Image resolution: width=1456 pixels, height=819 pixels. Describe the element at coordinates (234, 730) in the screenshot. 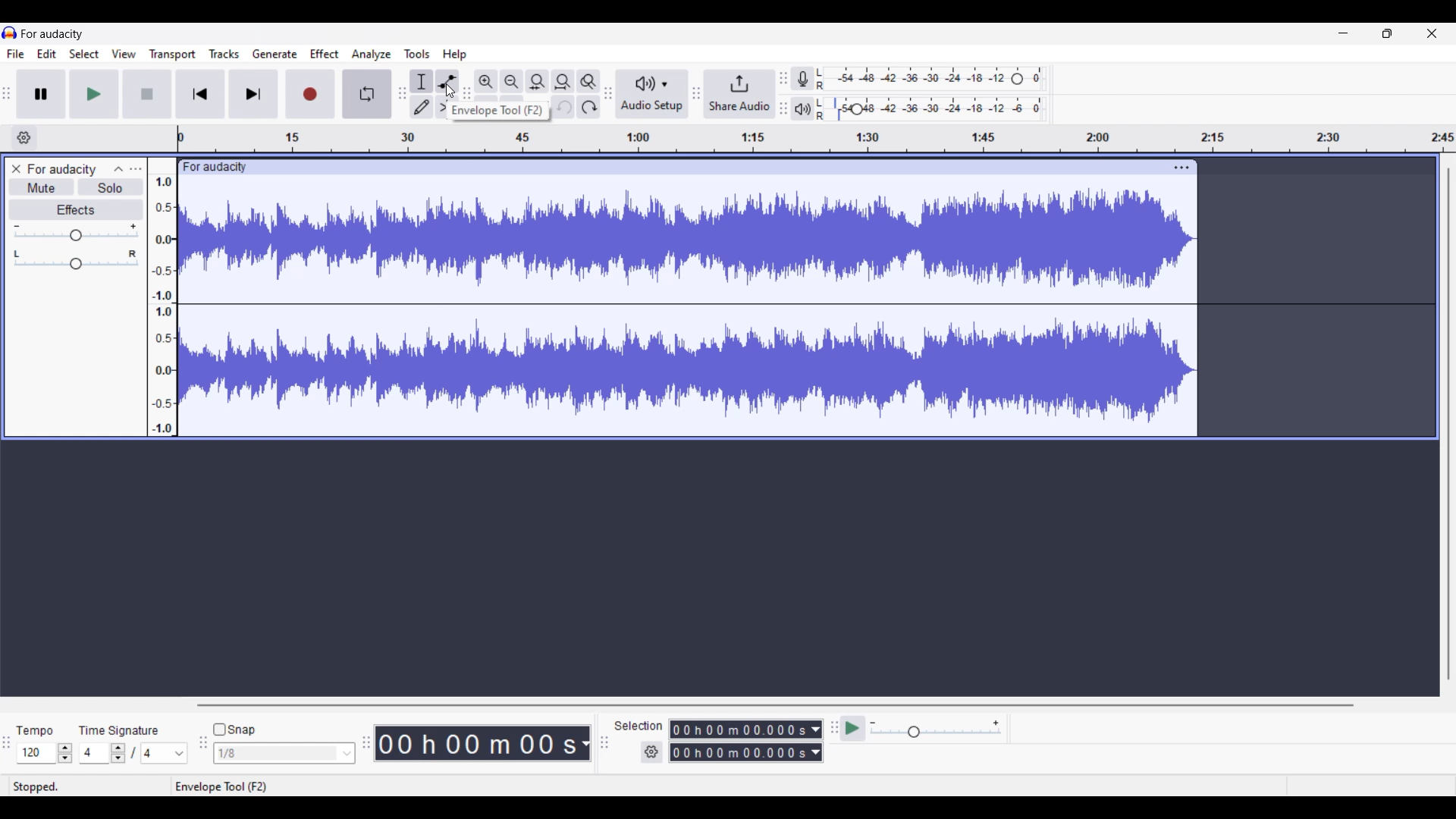

I see `Snap toggle` at that location.